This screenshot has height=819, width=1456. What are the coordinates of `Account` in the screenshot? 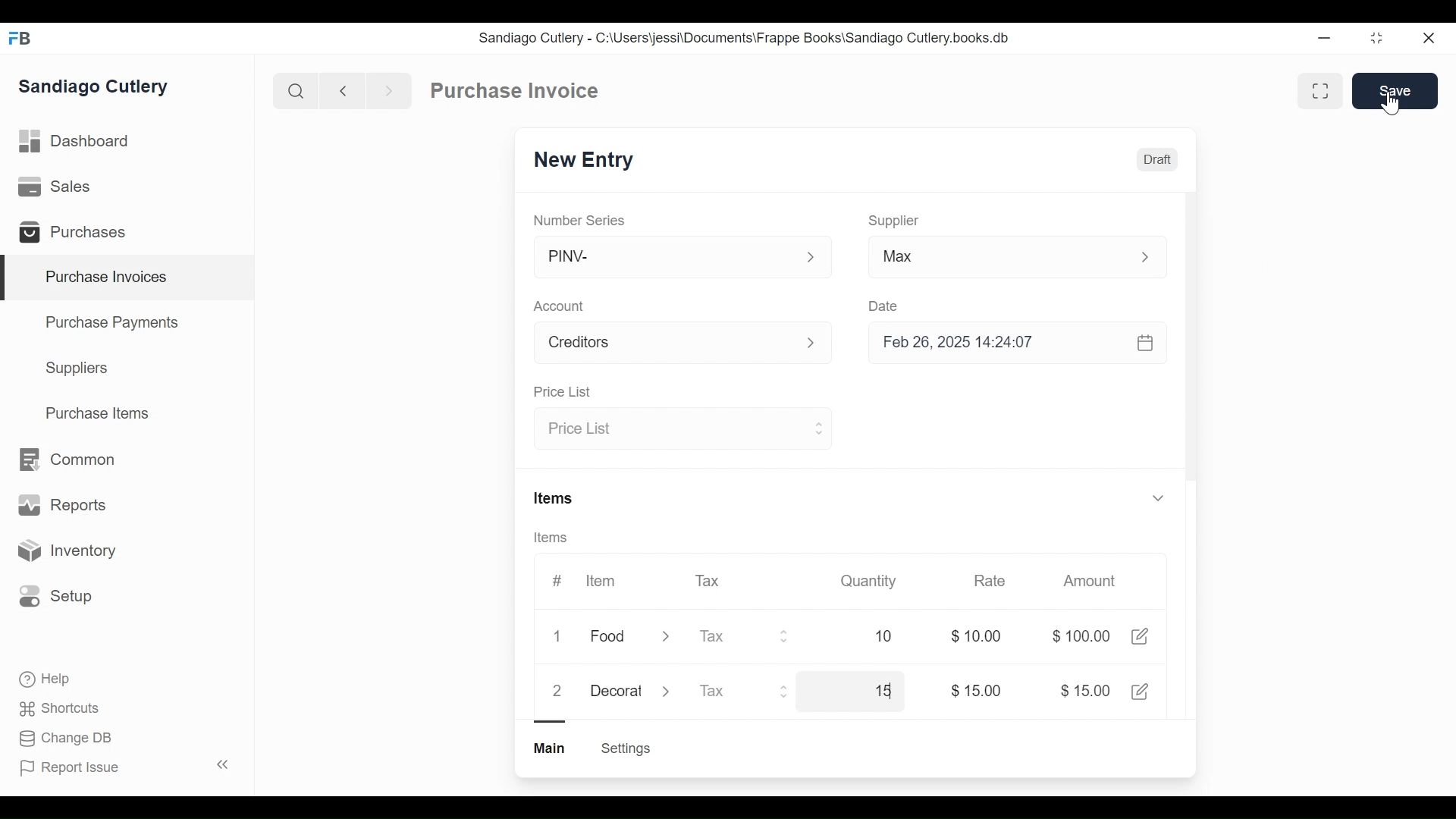 It's located at (562, 308).